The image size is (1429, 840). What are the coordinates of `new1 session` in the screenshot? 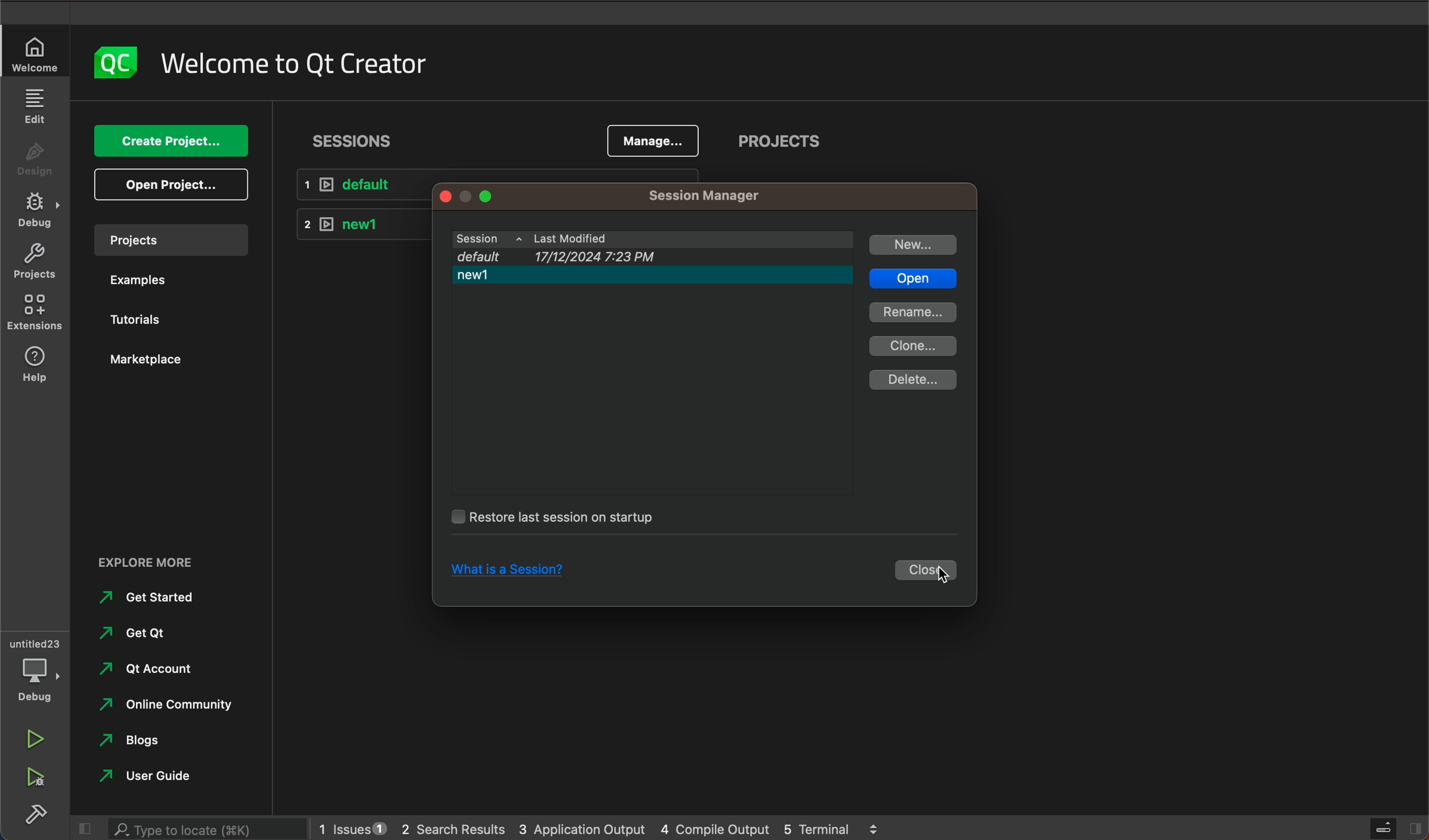 It's located at (357, 223).